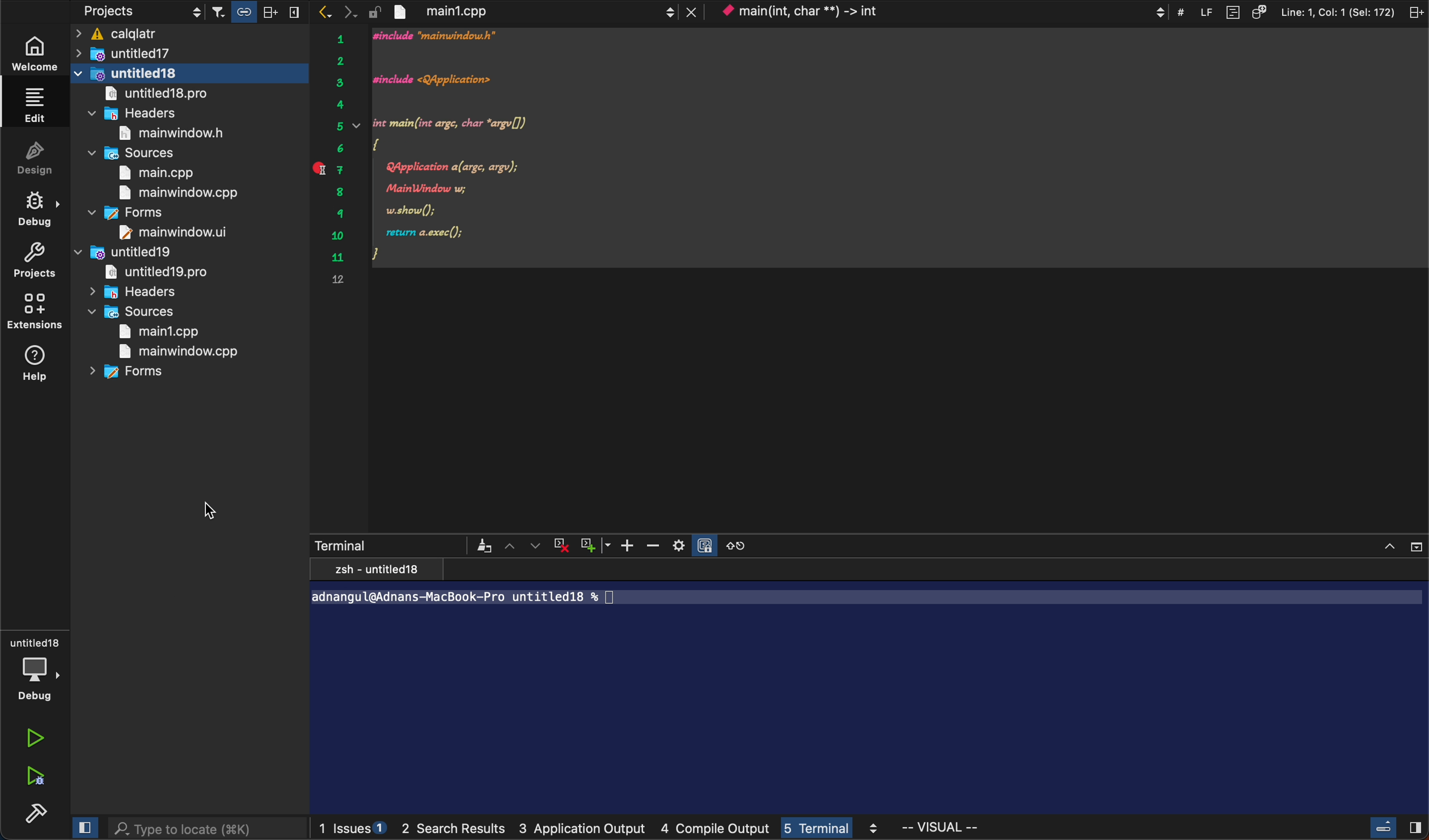 This screenshot has height=840, width=1429. What do you see at coordinates (138, 312) in the screenshot?
I see `sources` at bounding box center [138, 312].